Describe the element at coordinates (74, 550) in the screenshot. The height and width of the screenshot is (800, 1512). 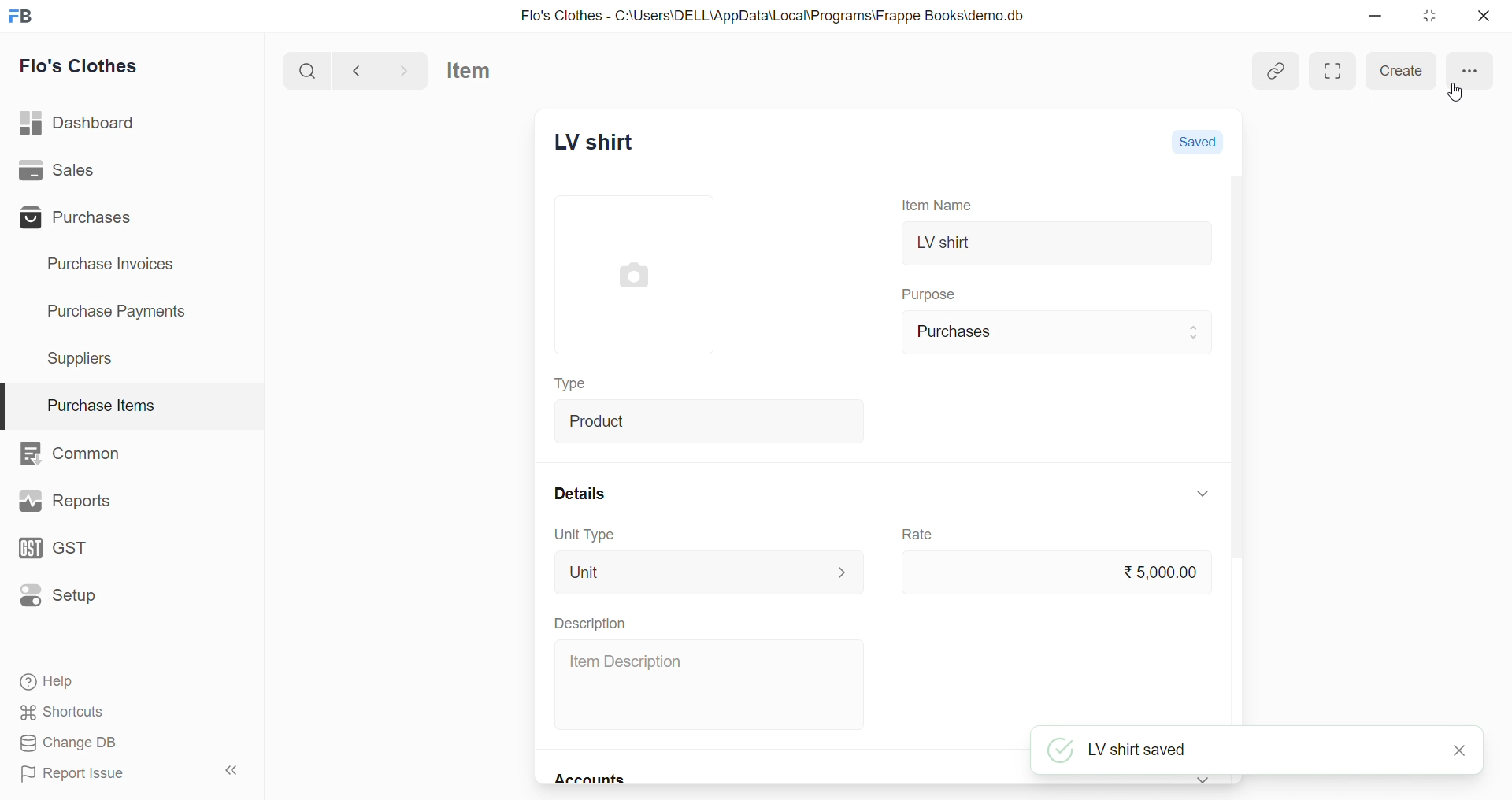
I see `GST` at that location.